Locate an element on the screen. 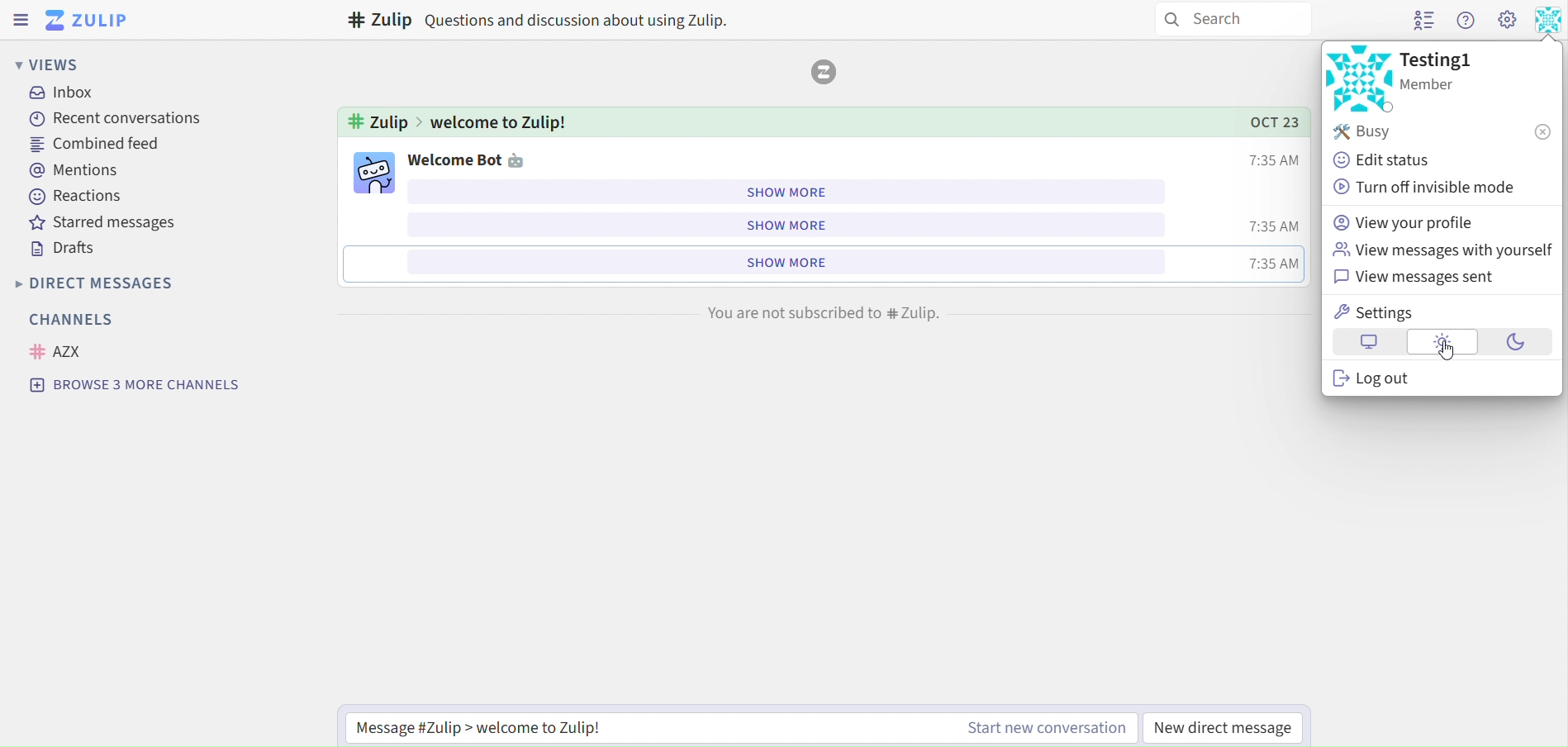  direct messages is located at coordinates (123, 284).